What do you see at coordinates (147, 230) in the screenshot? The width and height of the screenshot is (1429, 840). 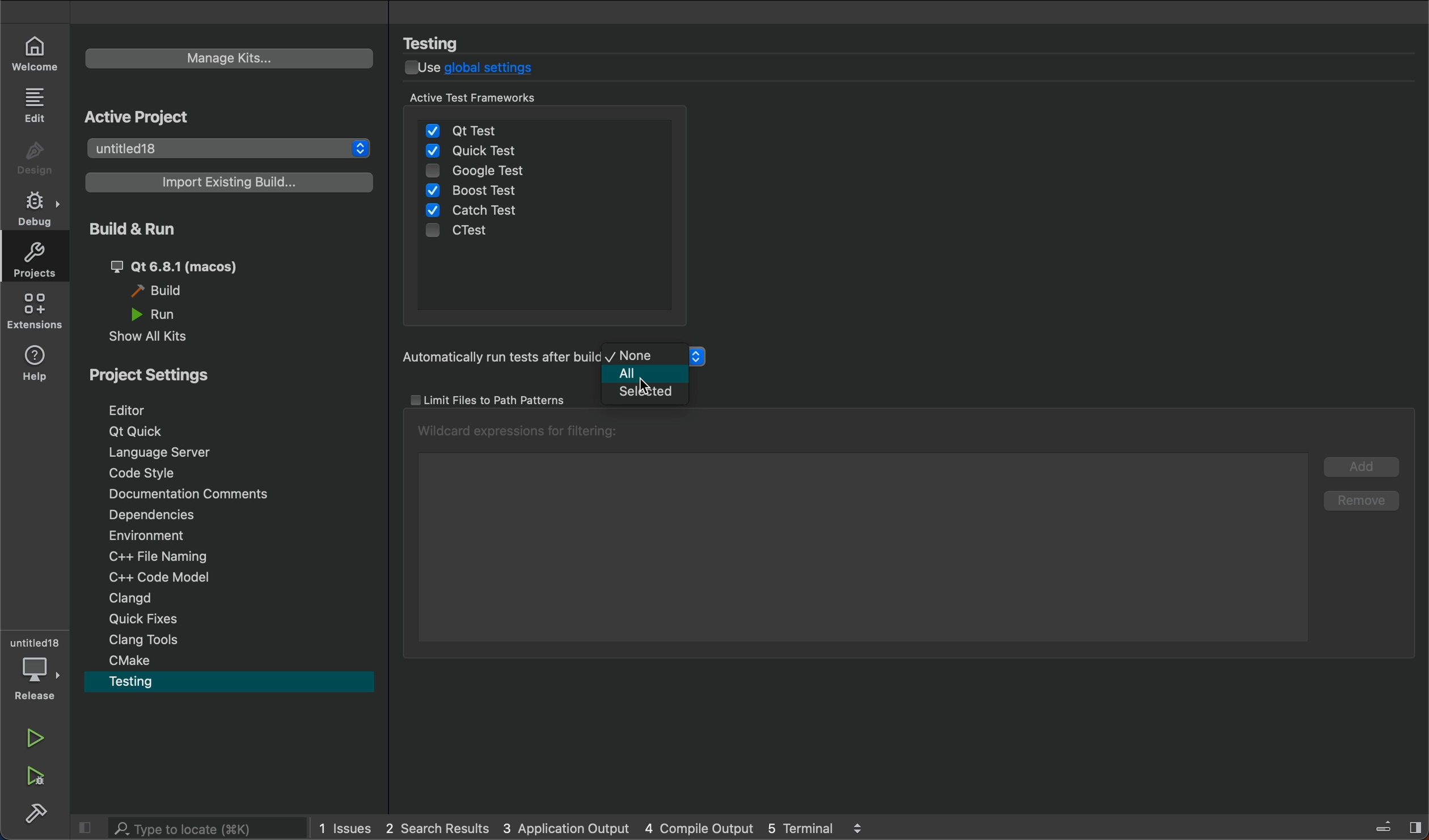 I see `build and run` at bounding box center [147, 230].